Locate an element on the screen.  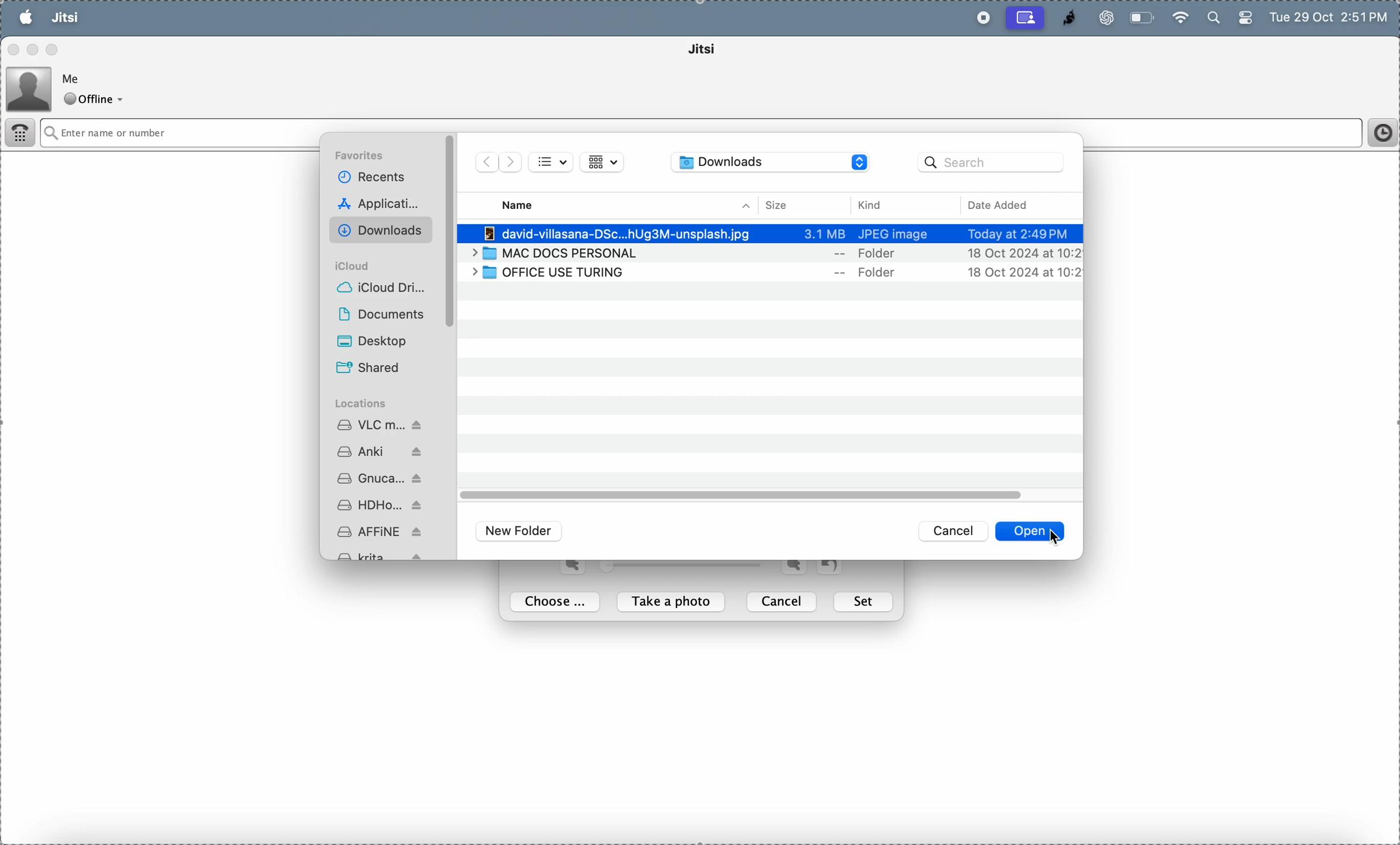
kind is located at coordinates (890, 204).